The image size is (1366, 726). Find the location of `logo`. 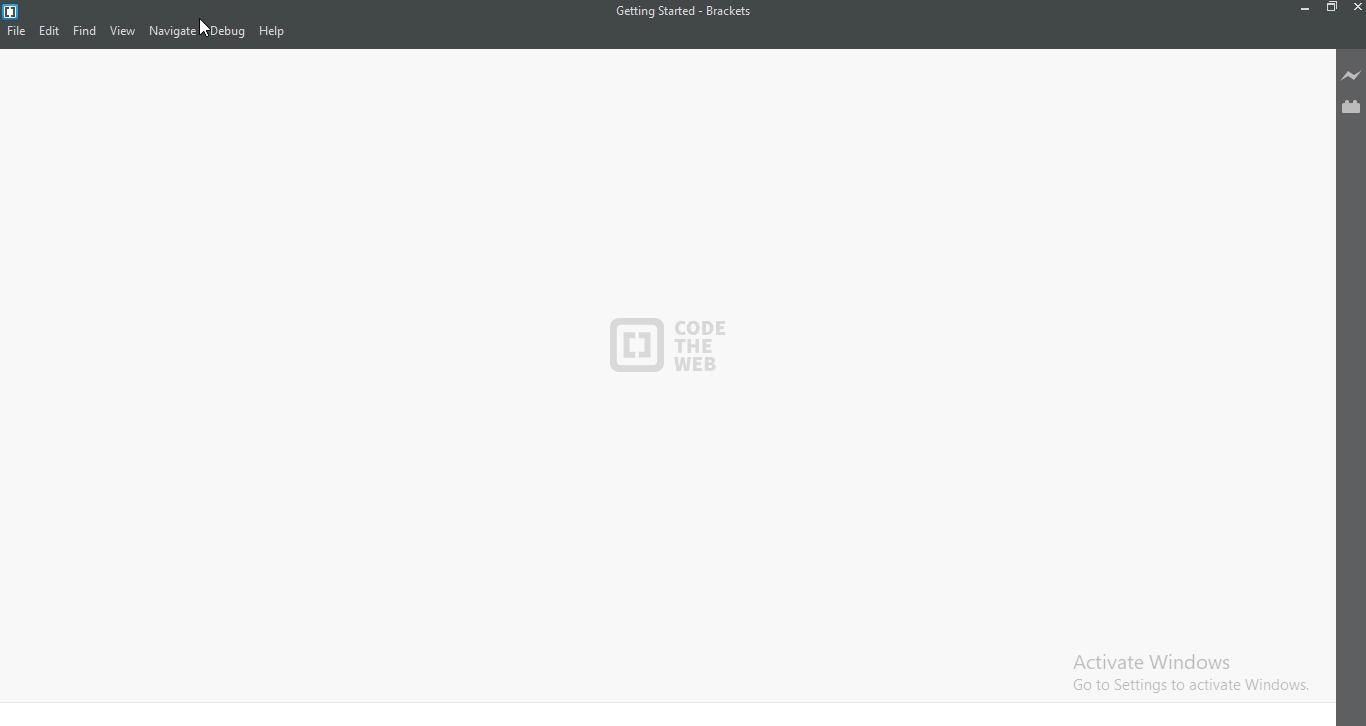

logo is located at coordinates (10, 12).